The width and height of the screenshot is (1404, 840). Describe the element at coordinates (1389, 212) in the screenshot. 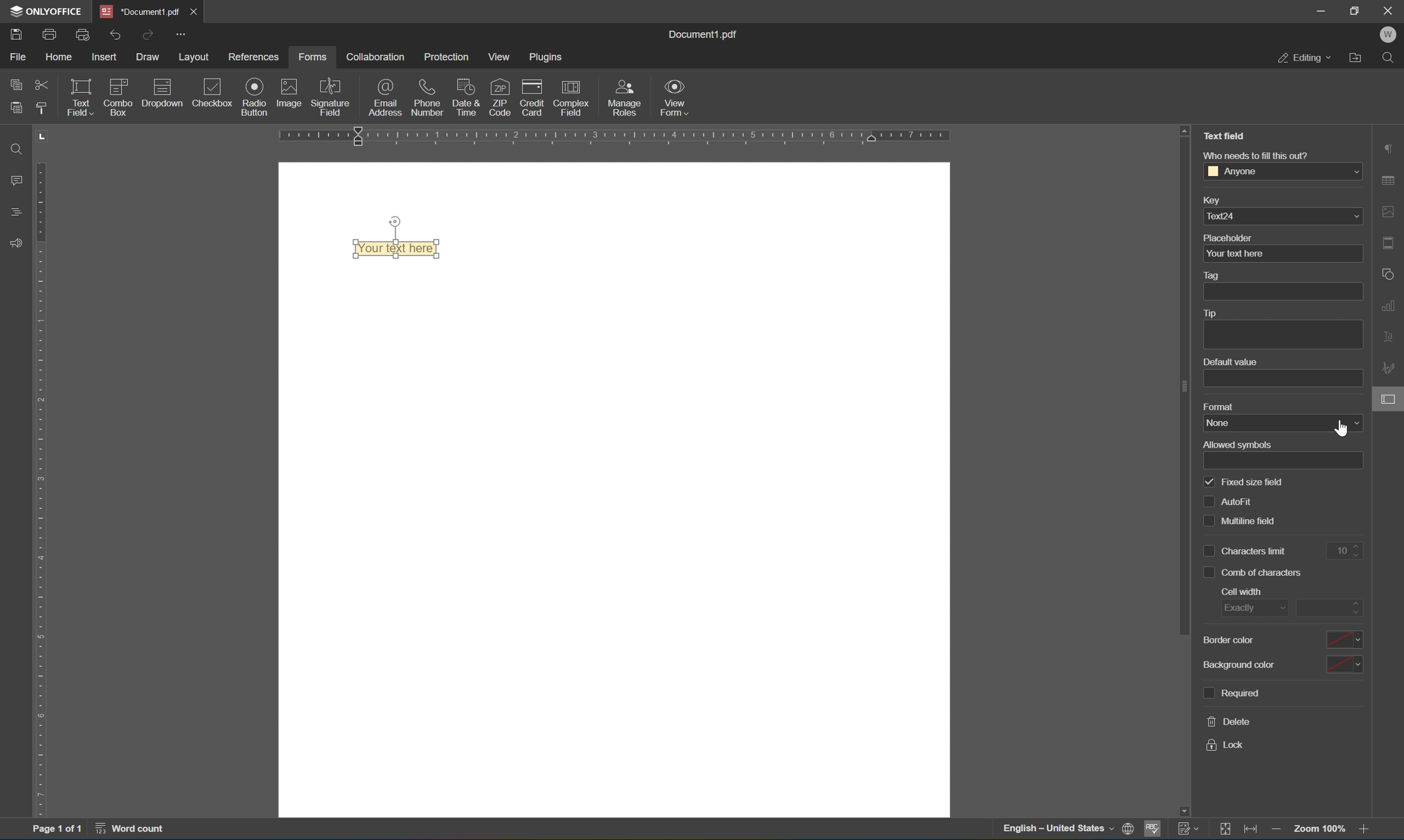

I see `image settings` at that location.